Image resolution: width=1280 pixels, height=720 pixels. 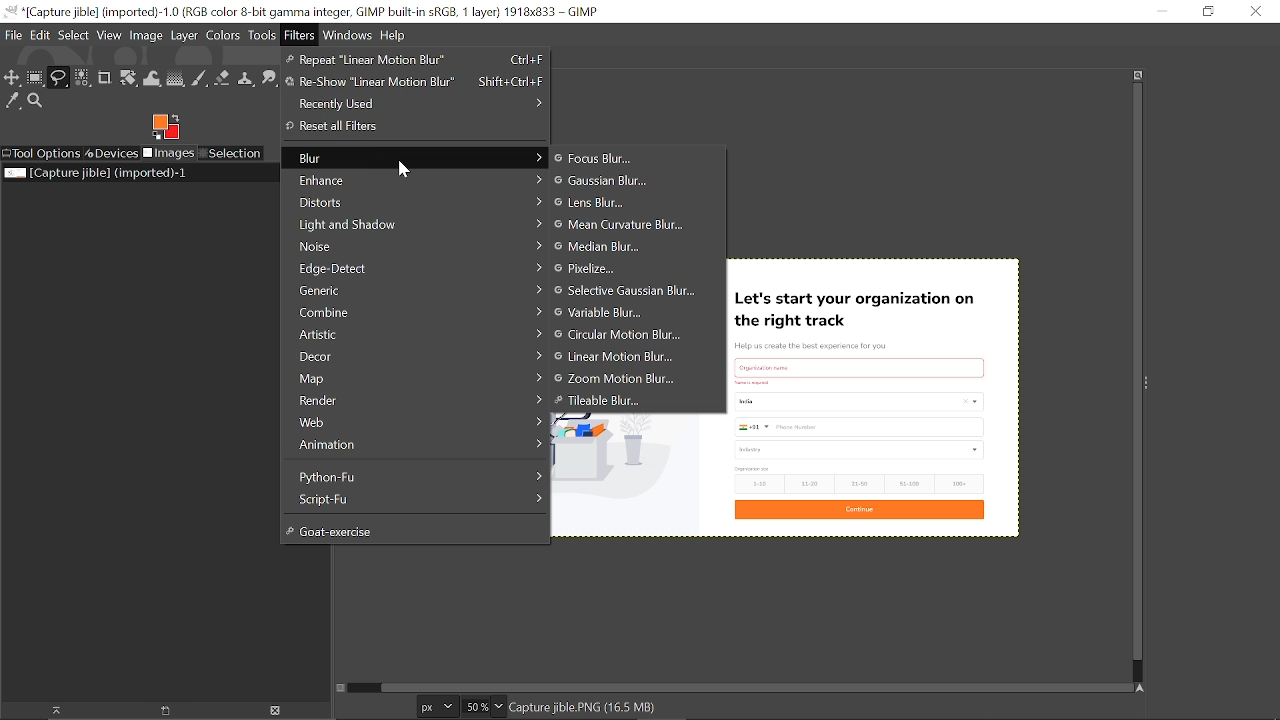 I want to click on Web, so click(x=415, y=423).